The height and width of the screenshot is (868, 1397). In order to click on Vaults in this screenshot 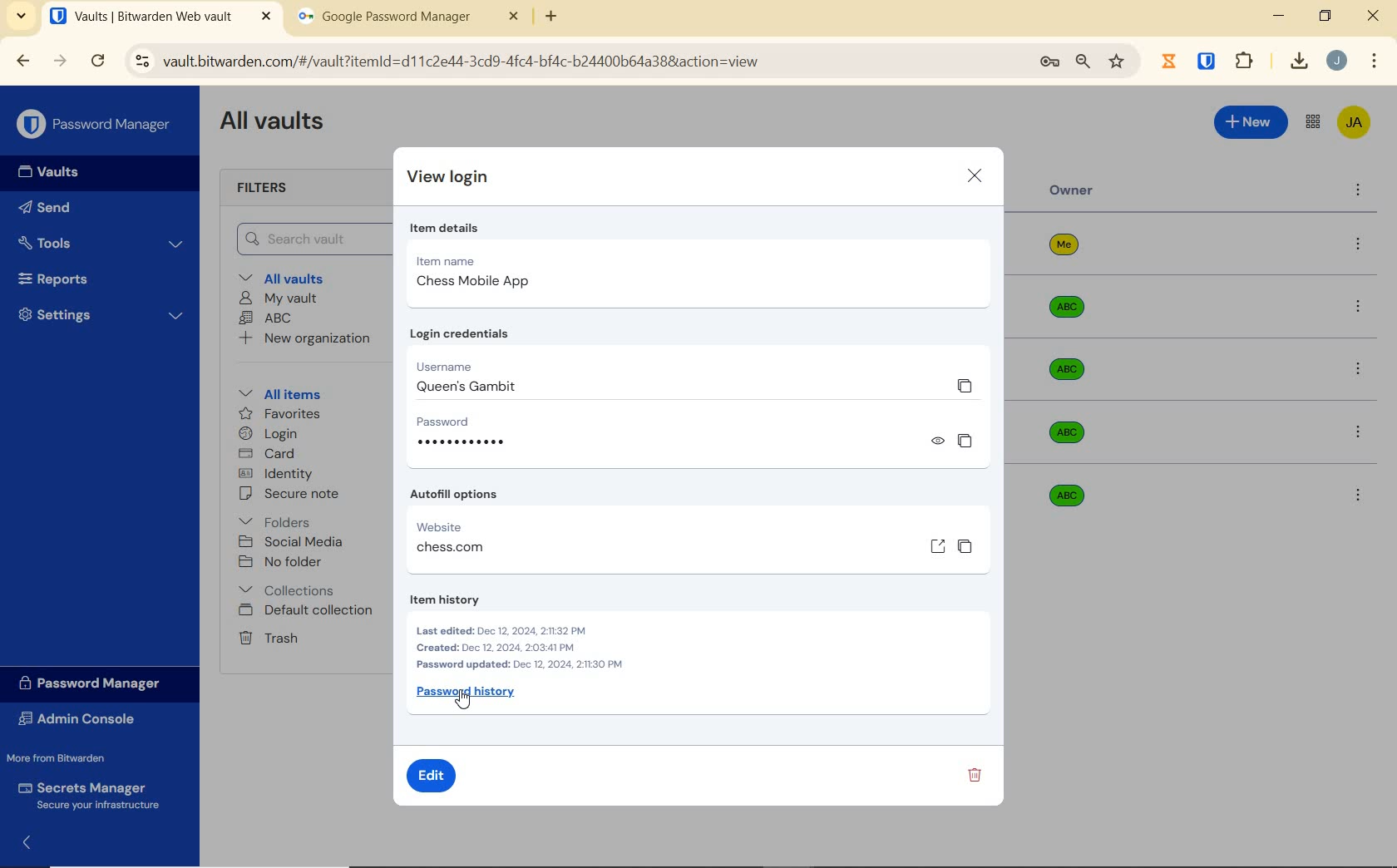, I will do `click(58, 174)`.